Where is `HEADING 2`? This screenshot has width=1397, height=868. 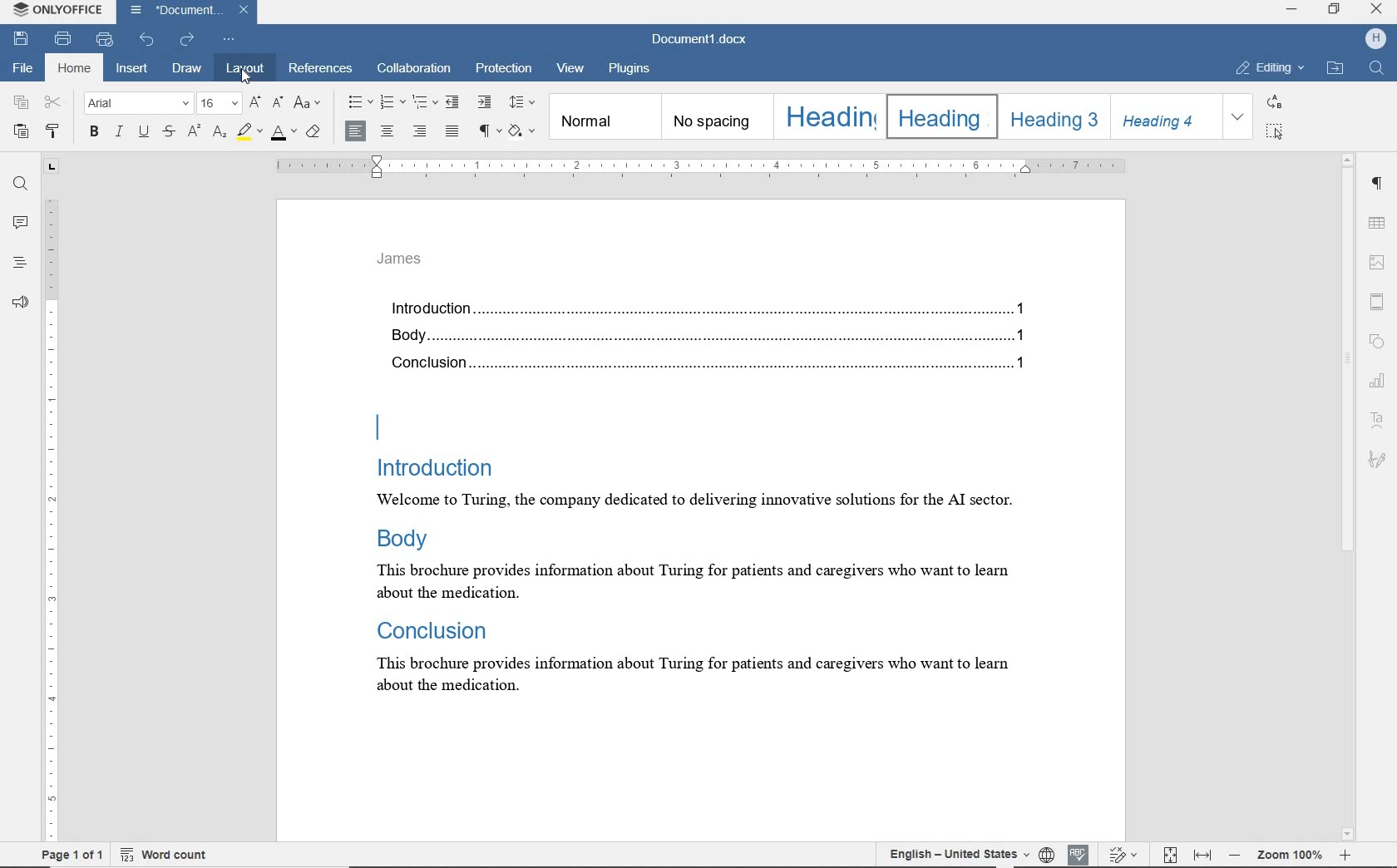
HEADING 2 is located at coordinates (940, 116).